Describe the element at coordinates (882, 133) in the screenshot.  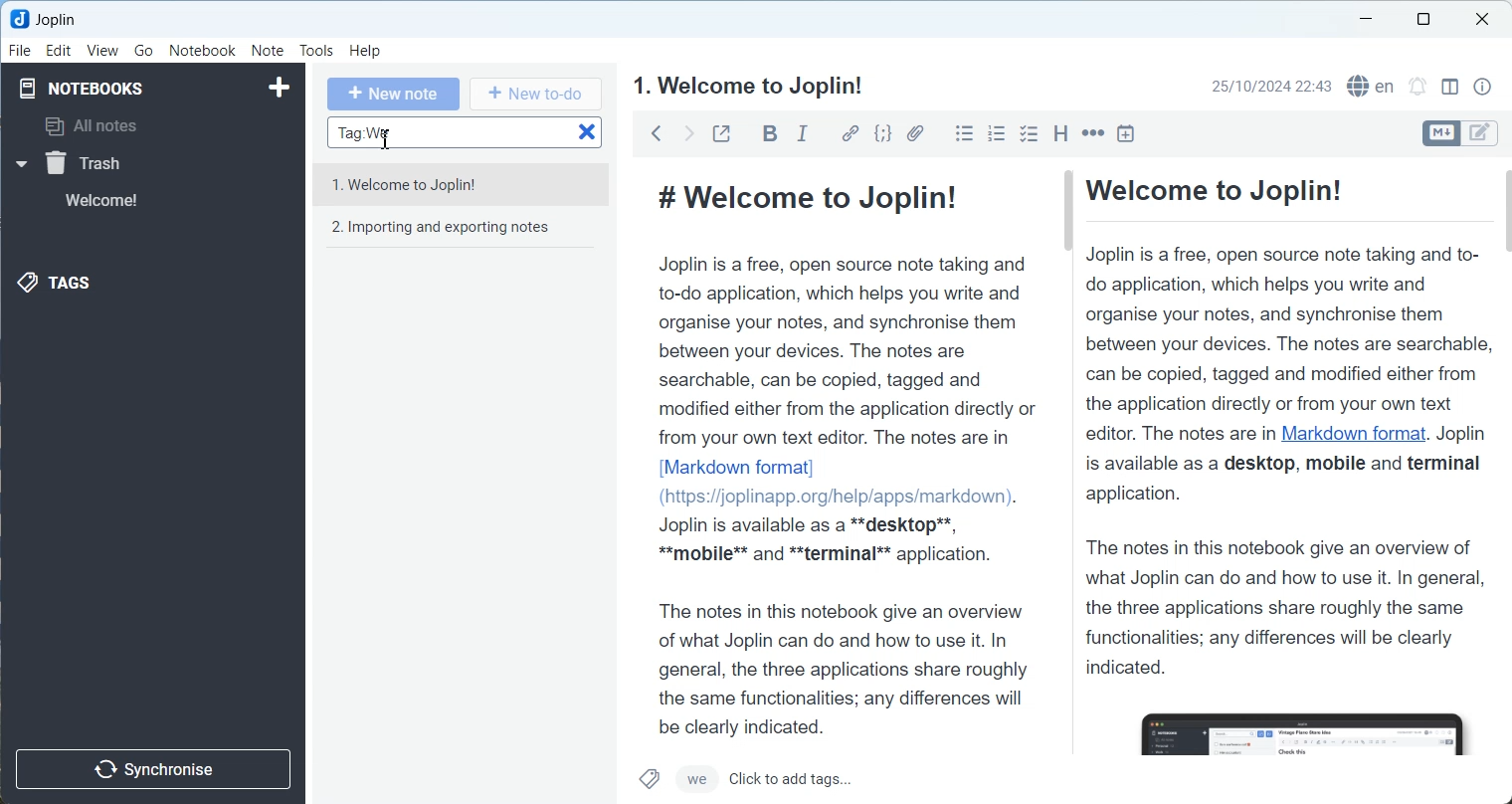
I see `Code` at that location.